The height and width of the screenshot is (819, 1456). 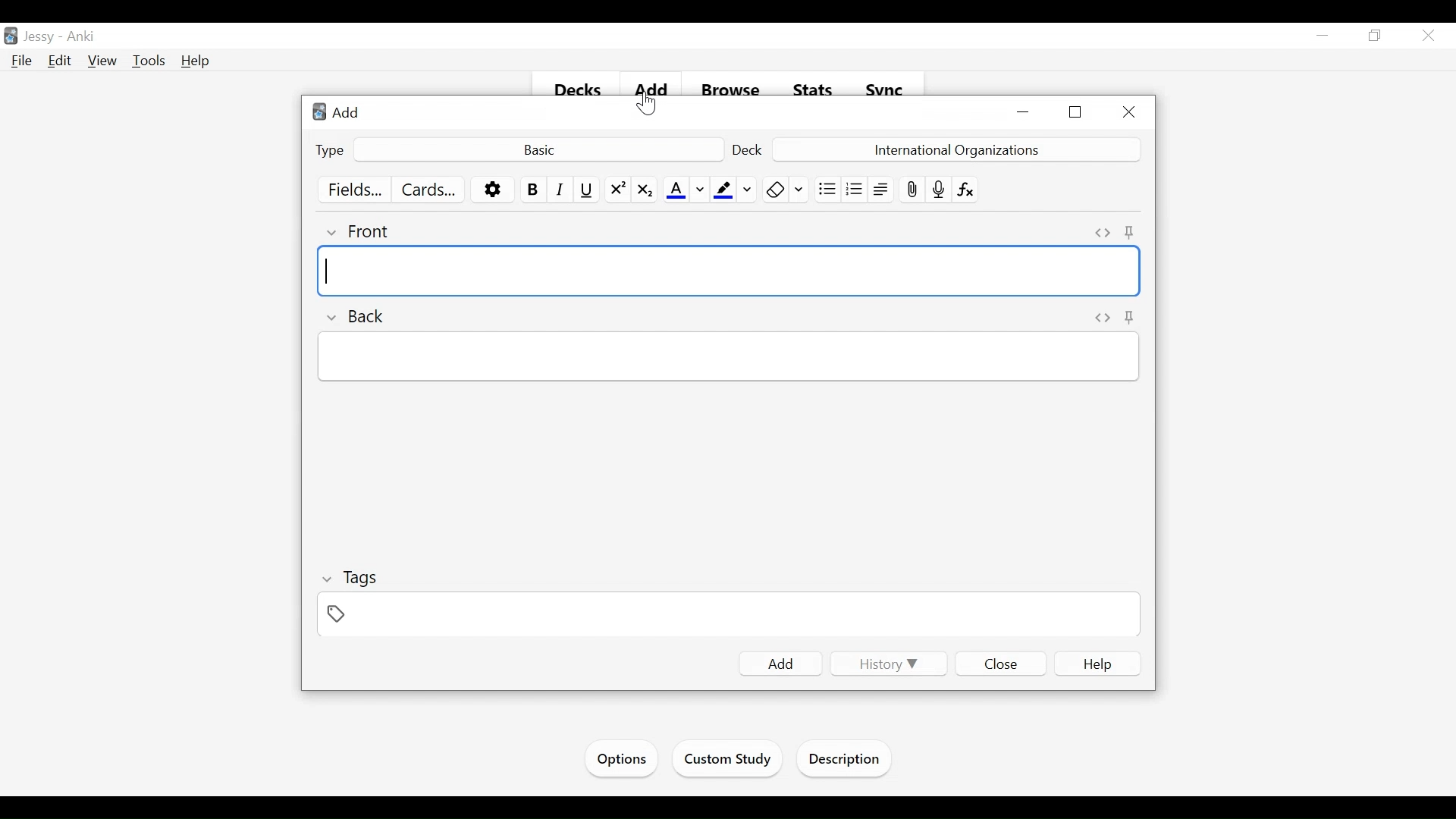 What do you see at coordinates (773, 189) in the screenshot?
I see `Clear formatting` at bounding box center [773, 189].